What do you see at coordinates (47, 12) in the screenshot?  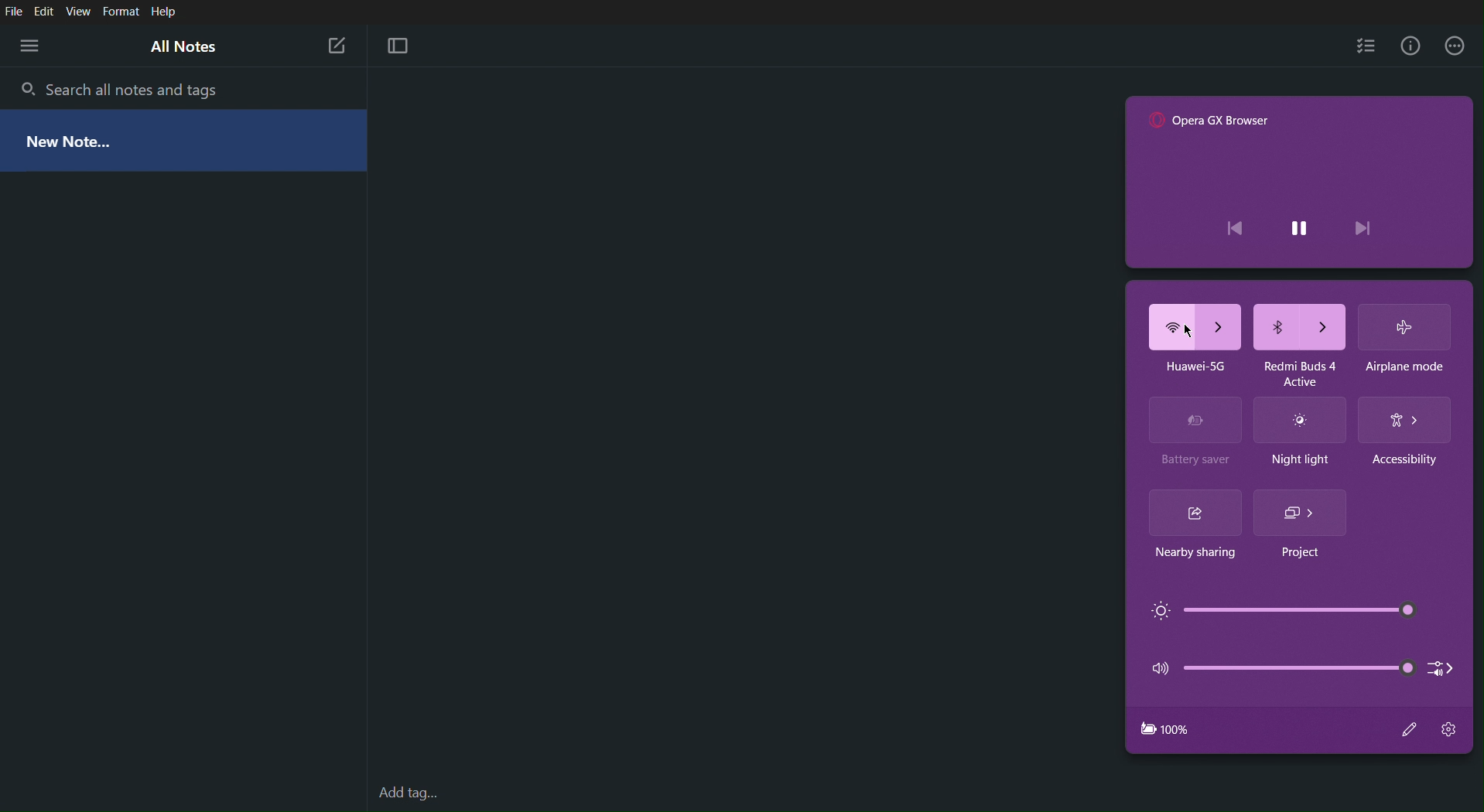 I see `Edit` at bounding box center [47, 12].